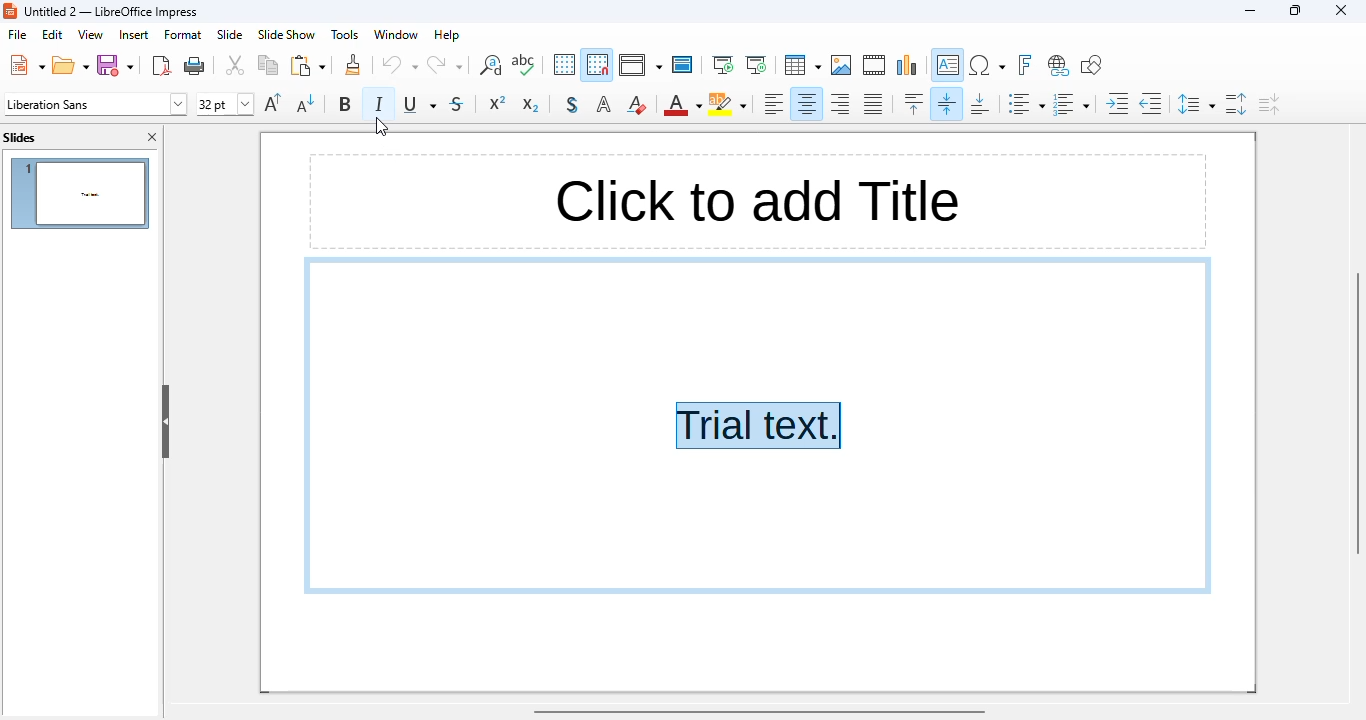  Describe the element at coordinates (224, 104) in the screenshot. I see `font size` at that location.